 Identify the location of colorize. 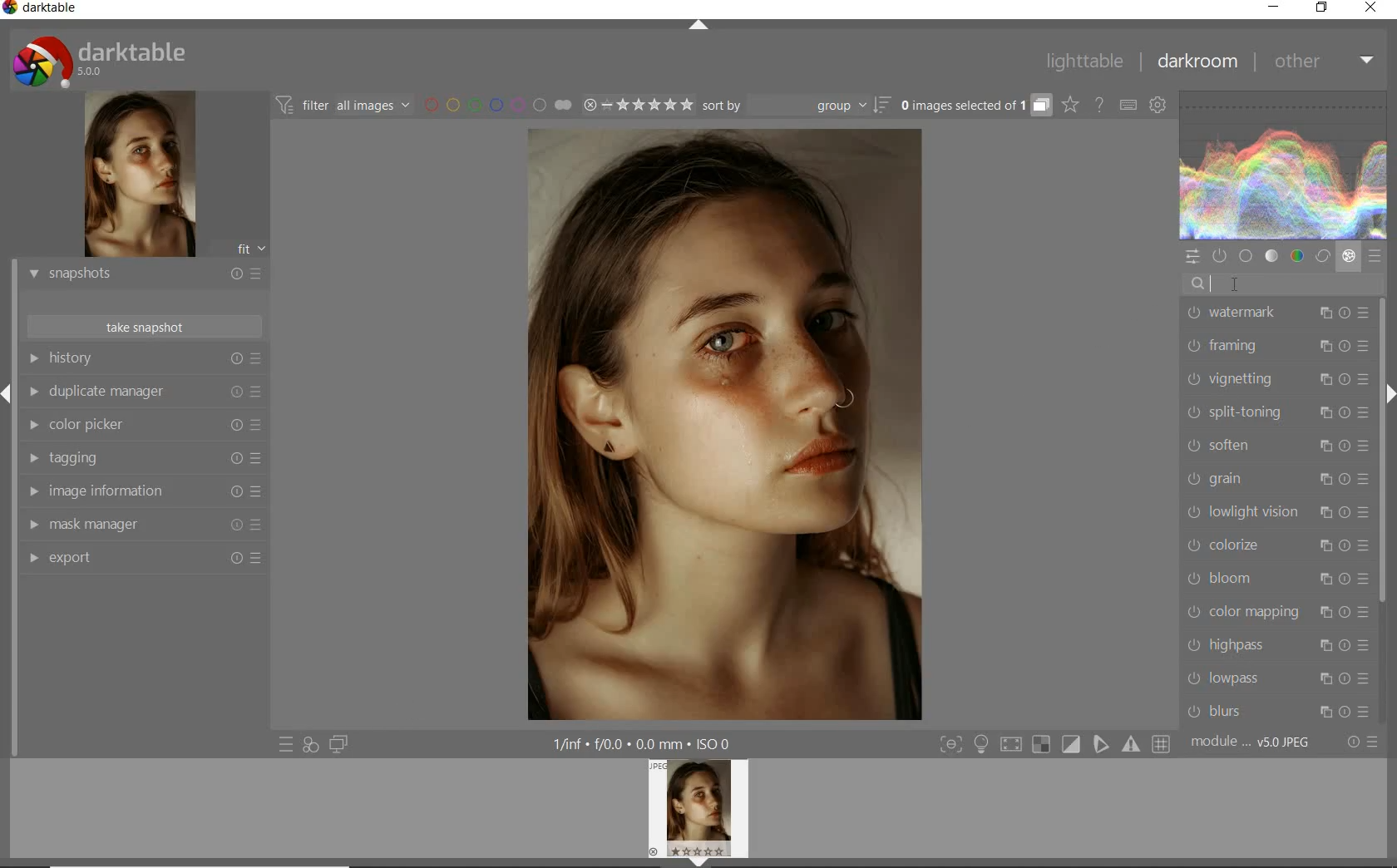
(1276, 545).